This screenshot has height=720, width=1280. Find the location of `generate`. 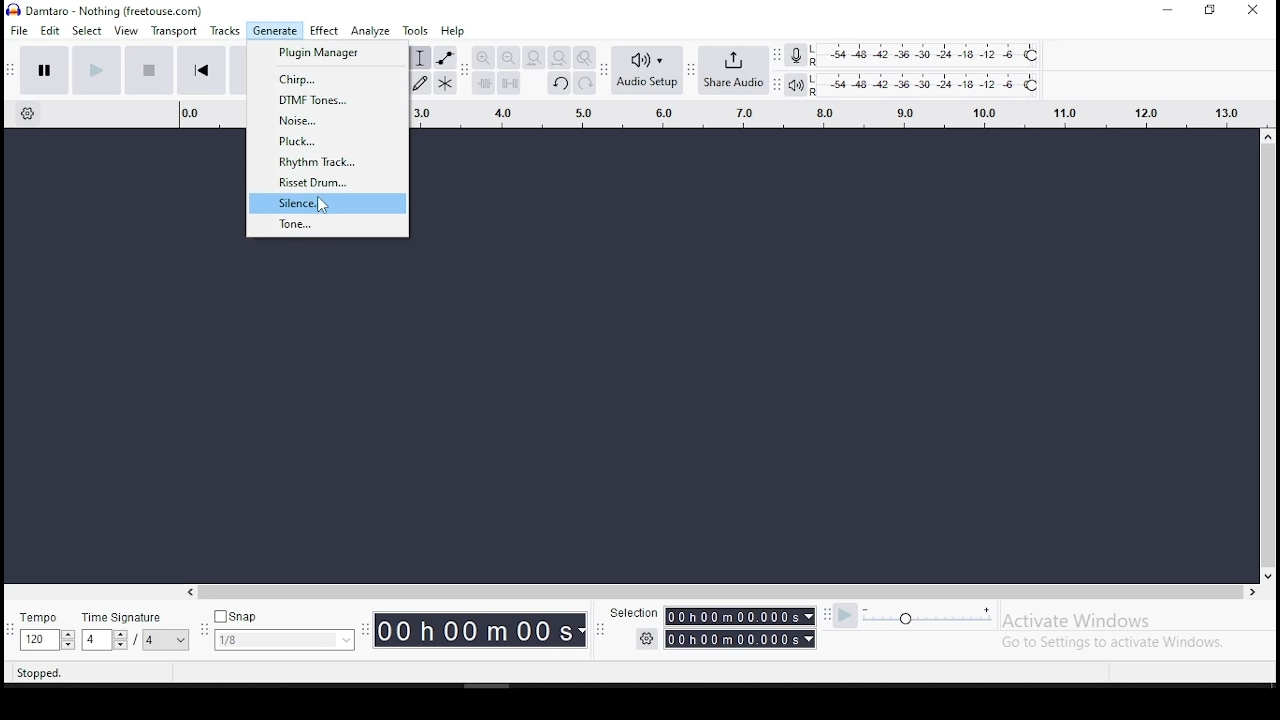

generate is located at coordinates (274, 31).